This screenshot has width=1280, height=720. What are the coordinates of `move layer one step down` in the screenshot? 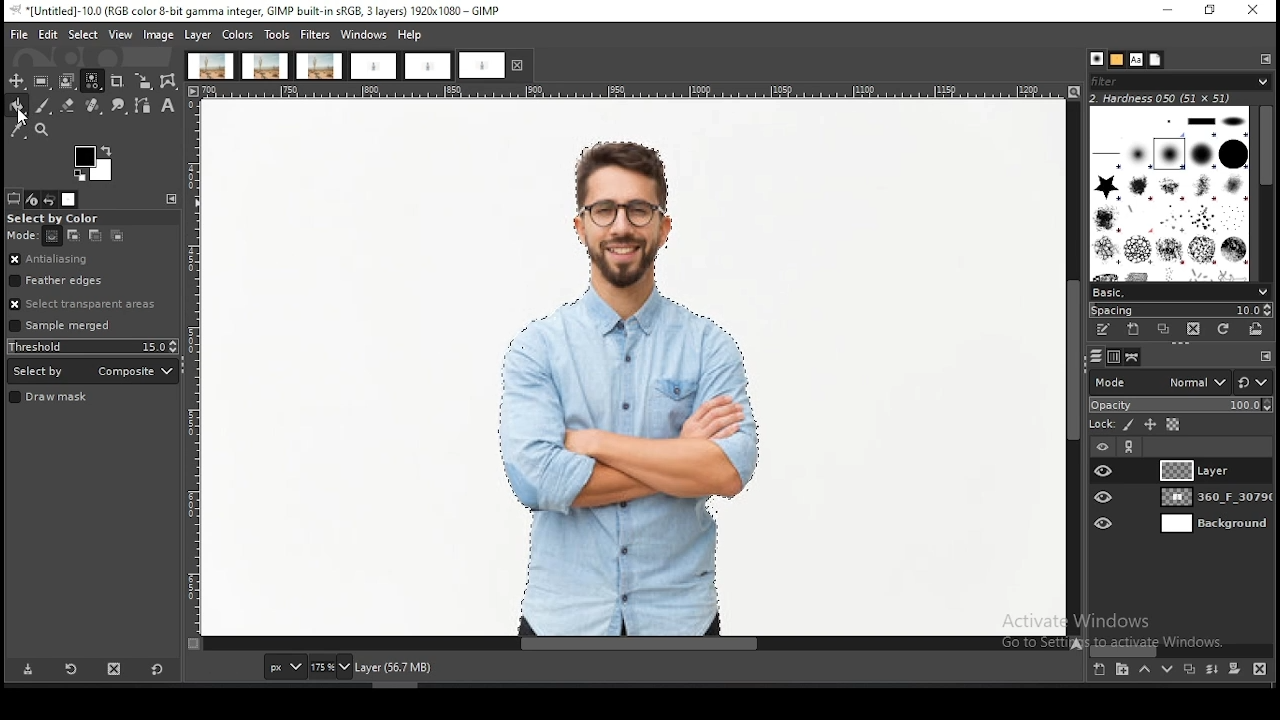 It's located at (1164, 669).